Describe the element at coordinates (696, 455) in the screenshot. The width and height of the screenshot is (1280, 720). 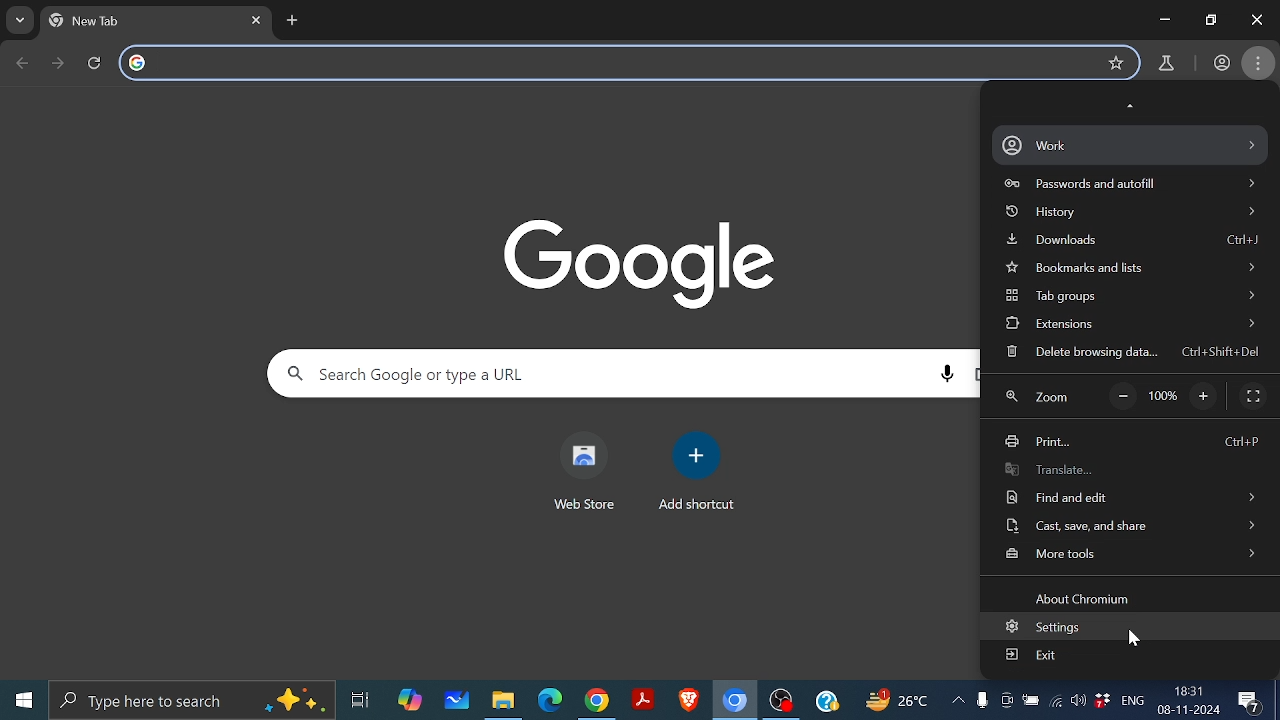
I see `Add shortcut` at that location.